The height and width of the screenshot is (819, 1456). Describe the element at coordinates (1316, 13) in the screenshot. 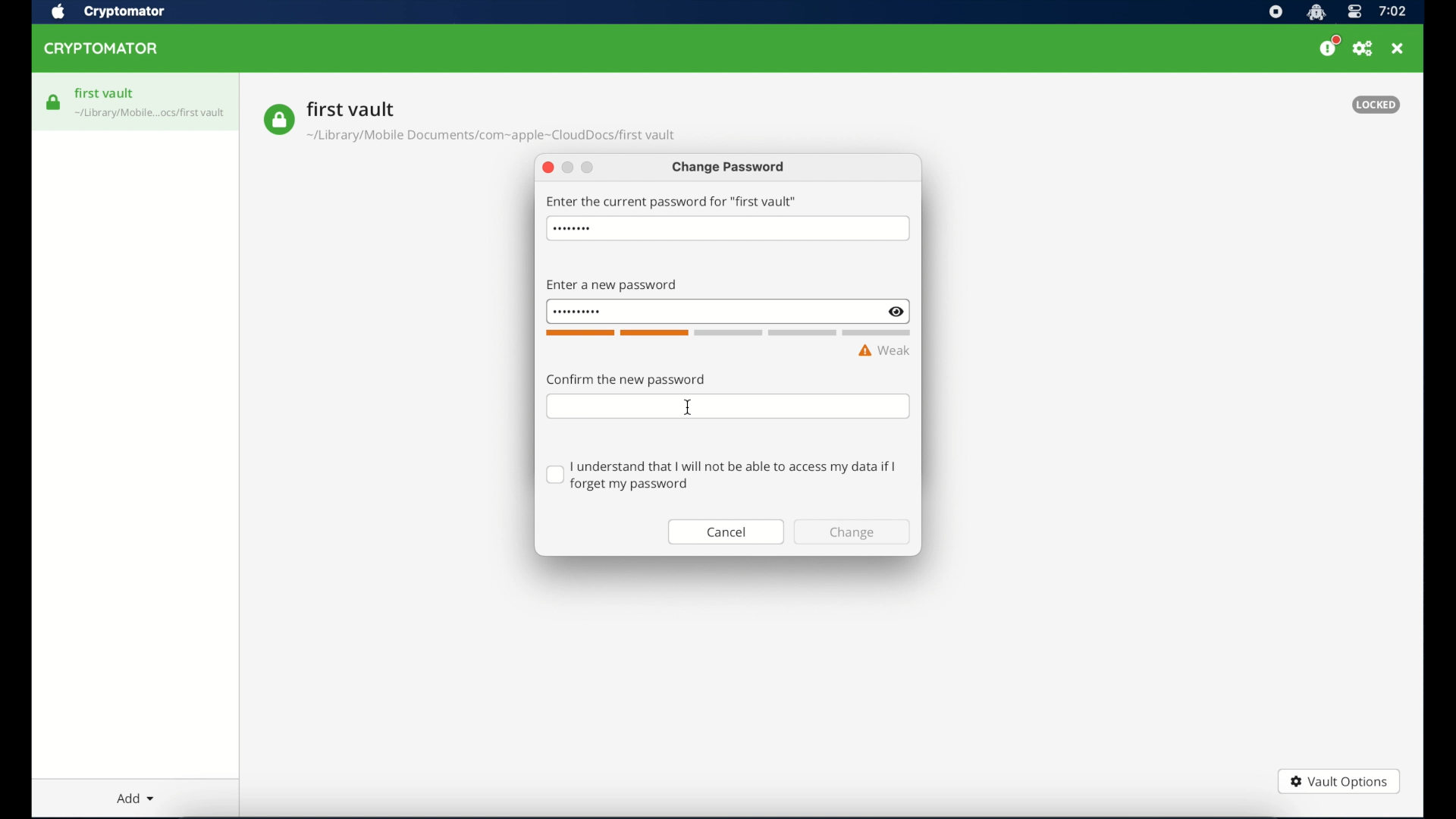

I see `cryptomator icon` at that location.